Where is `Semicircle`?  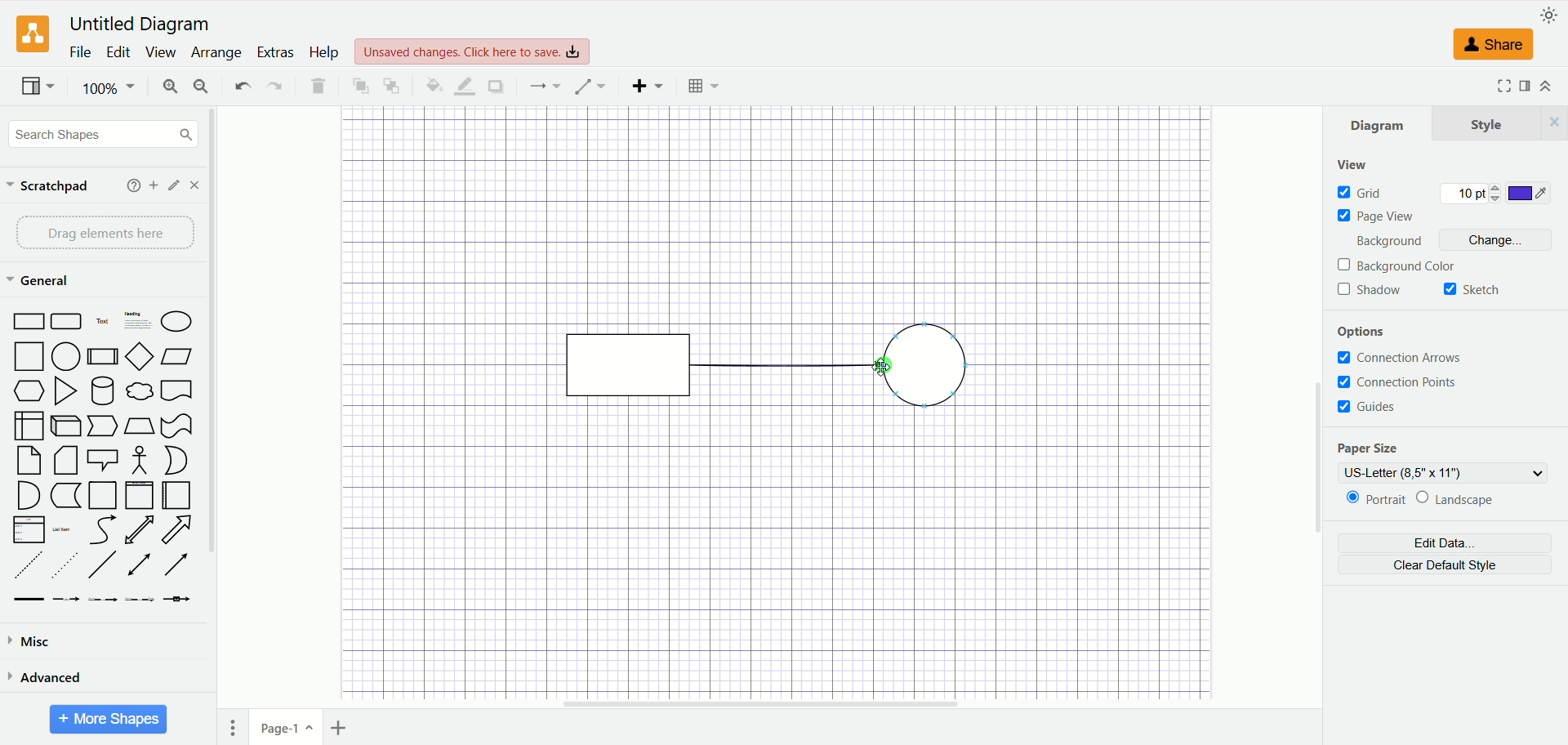
Semicircle is located at coordinates (29, 495).